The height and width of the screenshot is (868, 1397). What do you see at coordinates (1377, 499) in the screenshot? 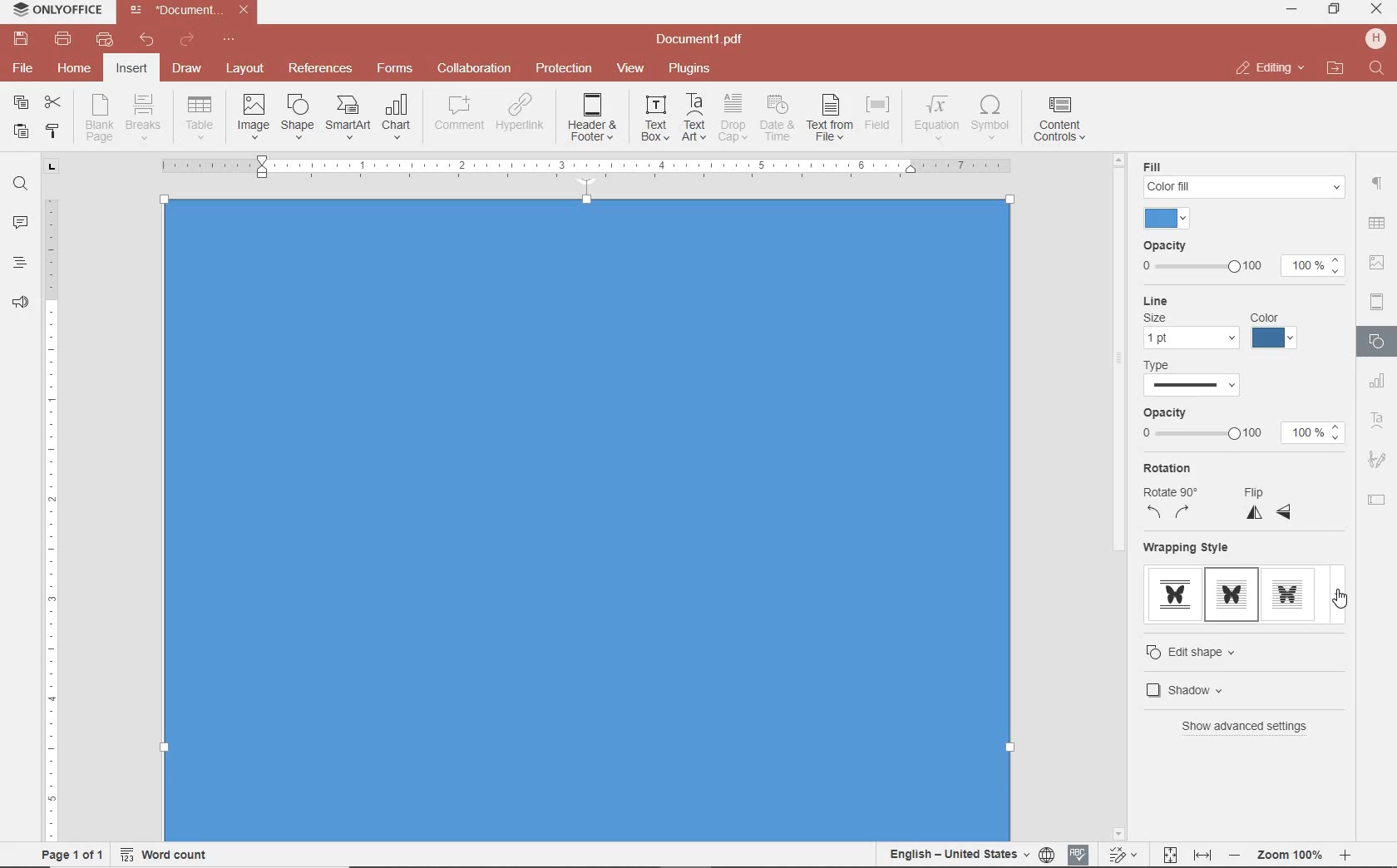
I see `TEXT FIELD` at bounding box center [1377, 499].